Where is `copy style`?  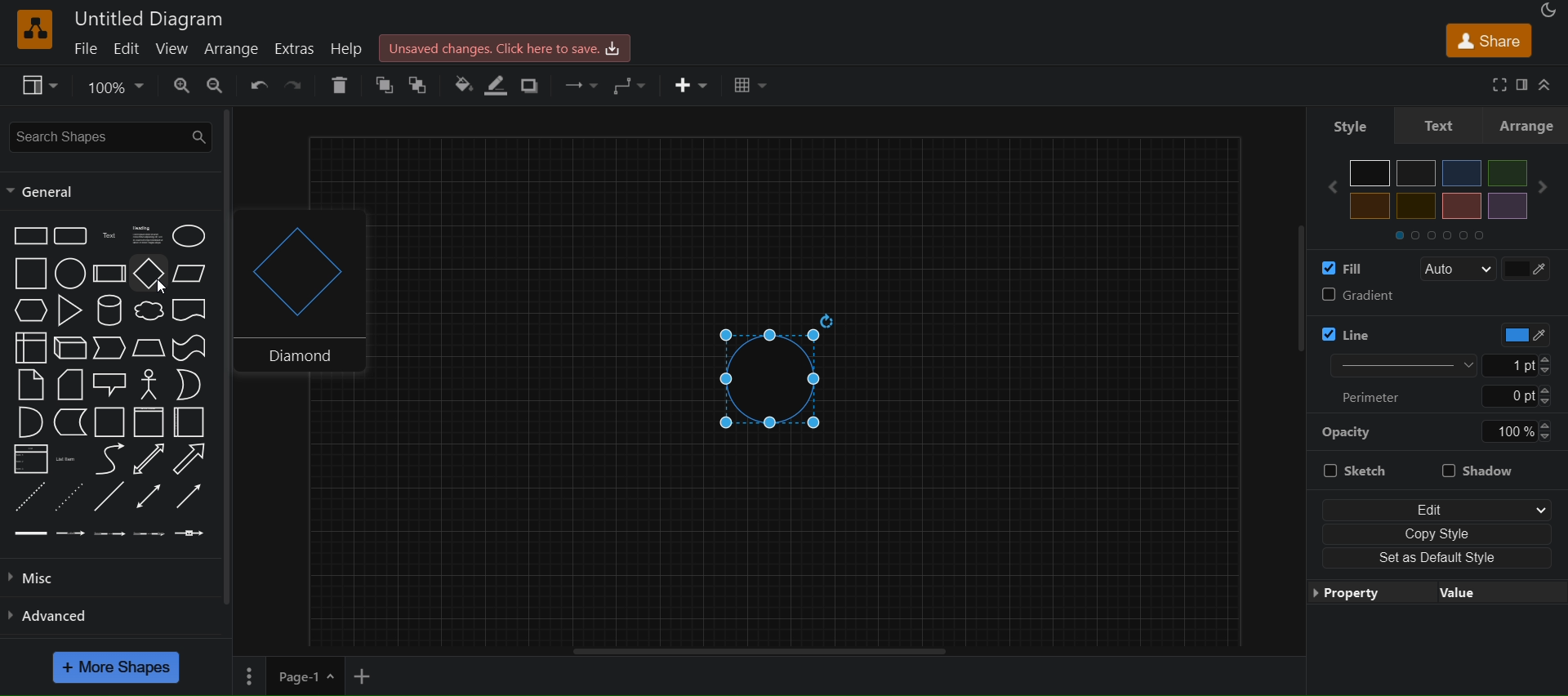 copy style is located at coordinates (1437, 531).